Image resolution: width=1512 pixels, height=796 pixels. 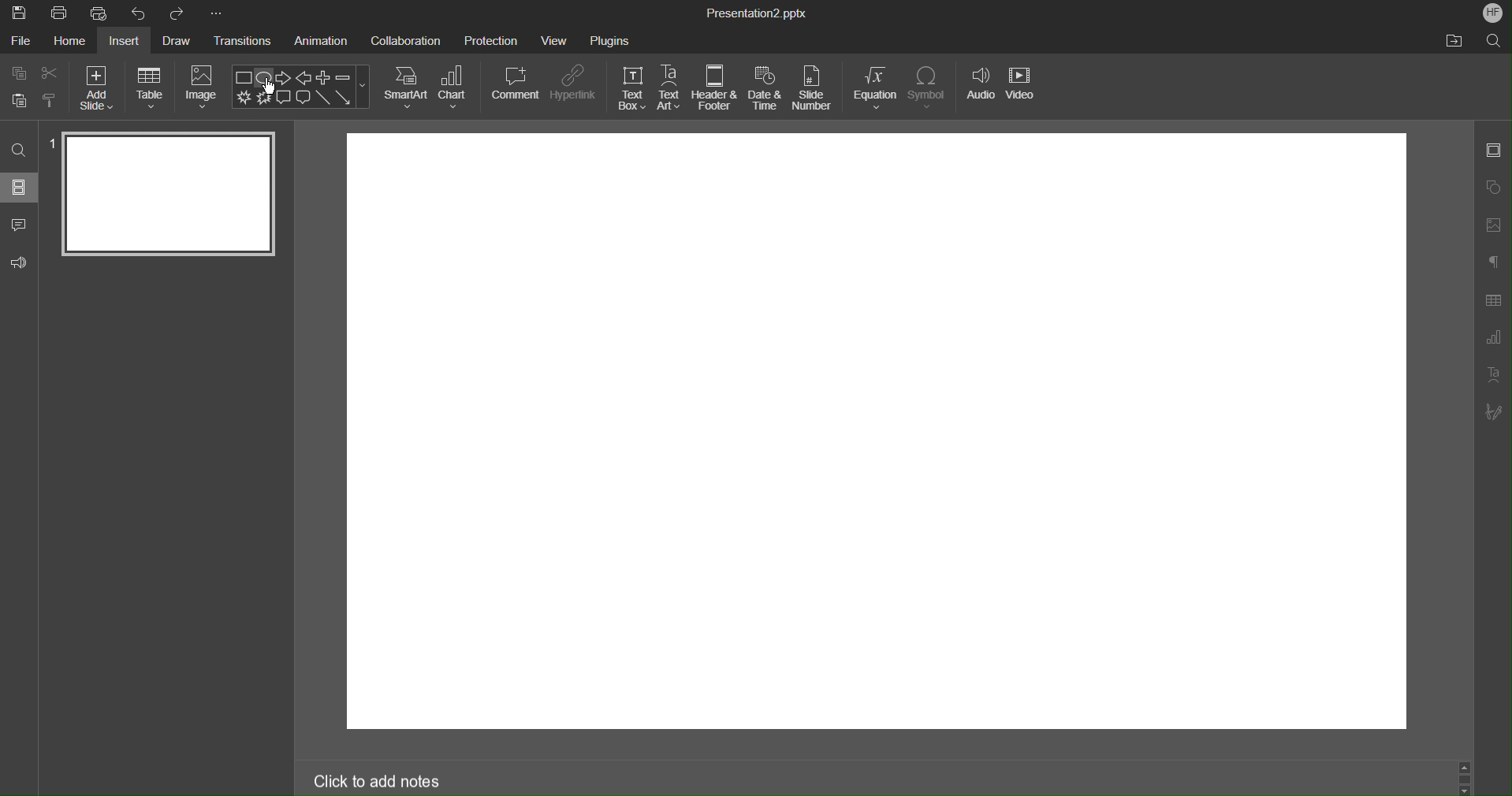 What do you see at coordinates (178, 13) in the screenshot?
I see `Redo` at bounding box center [178, 13].